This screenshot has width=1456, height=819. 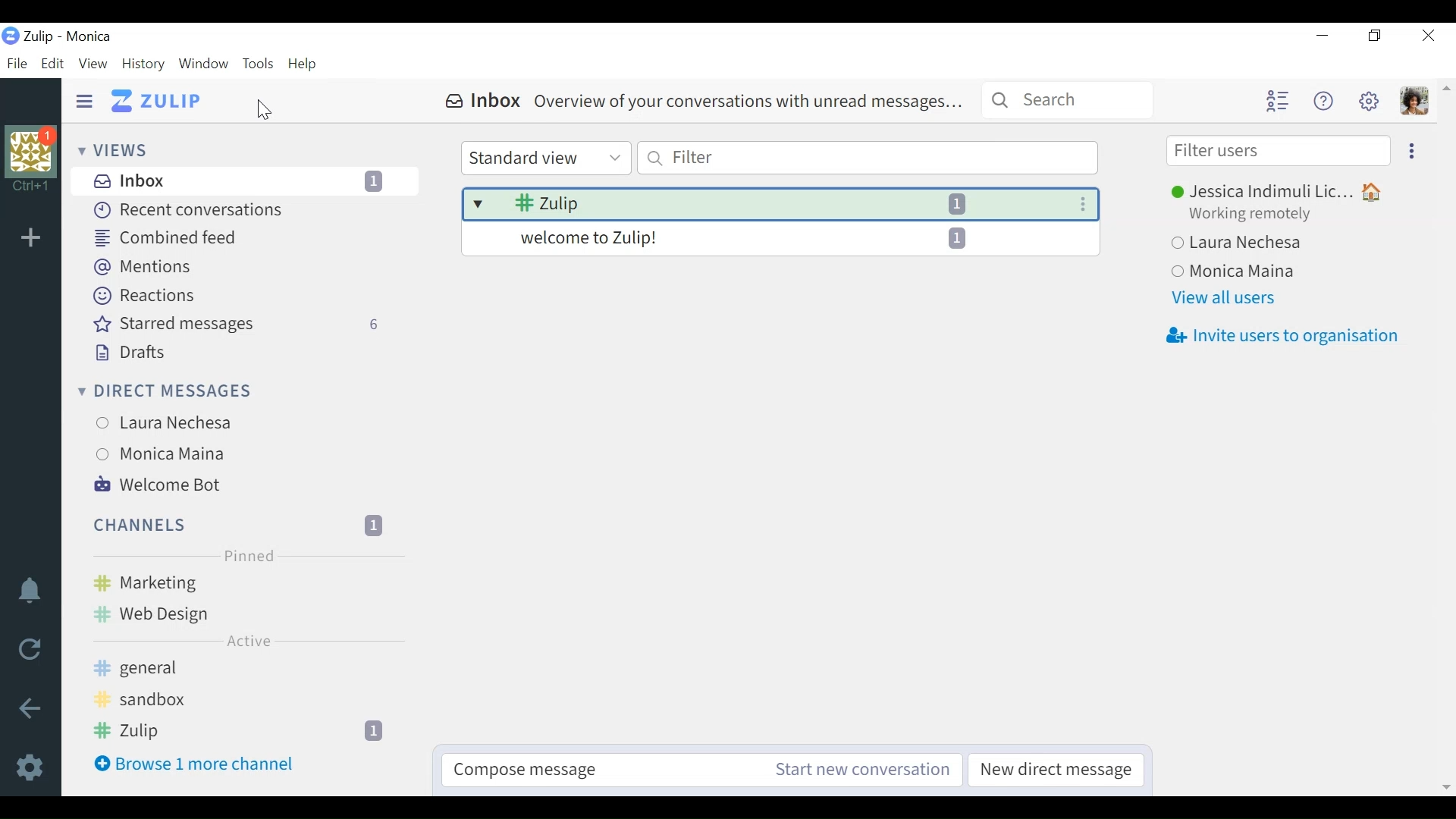 What do you see at coordinates (54, 64) in the screenshot?
I see `Edit` at bounding box center [54, 64].